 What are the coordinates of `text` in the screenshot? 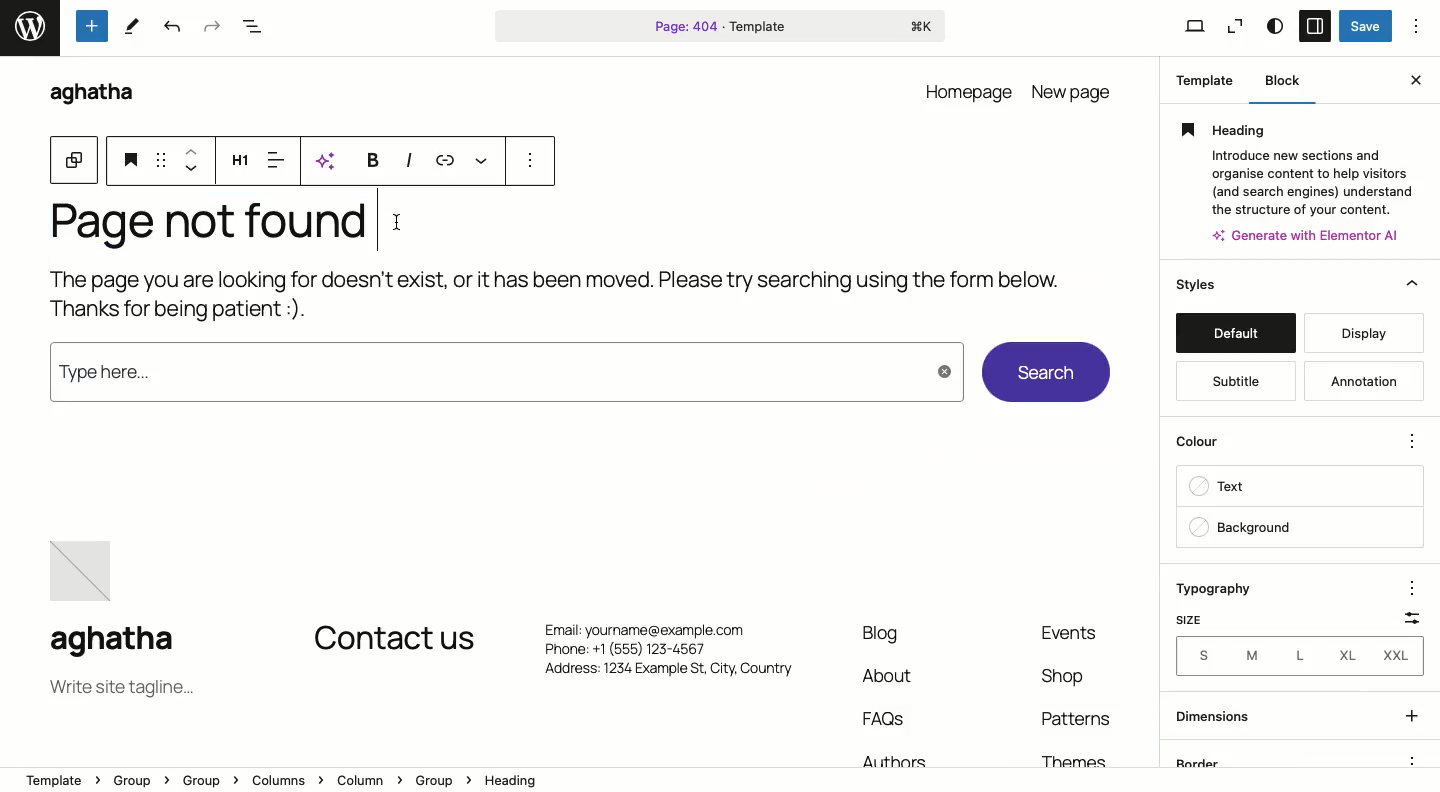 It's located at (1232, 484).